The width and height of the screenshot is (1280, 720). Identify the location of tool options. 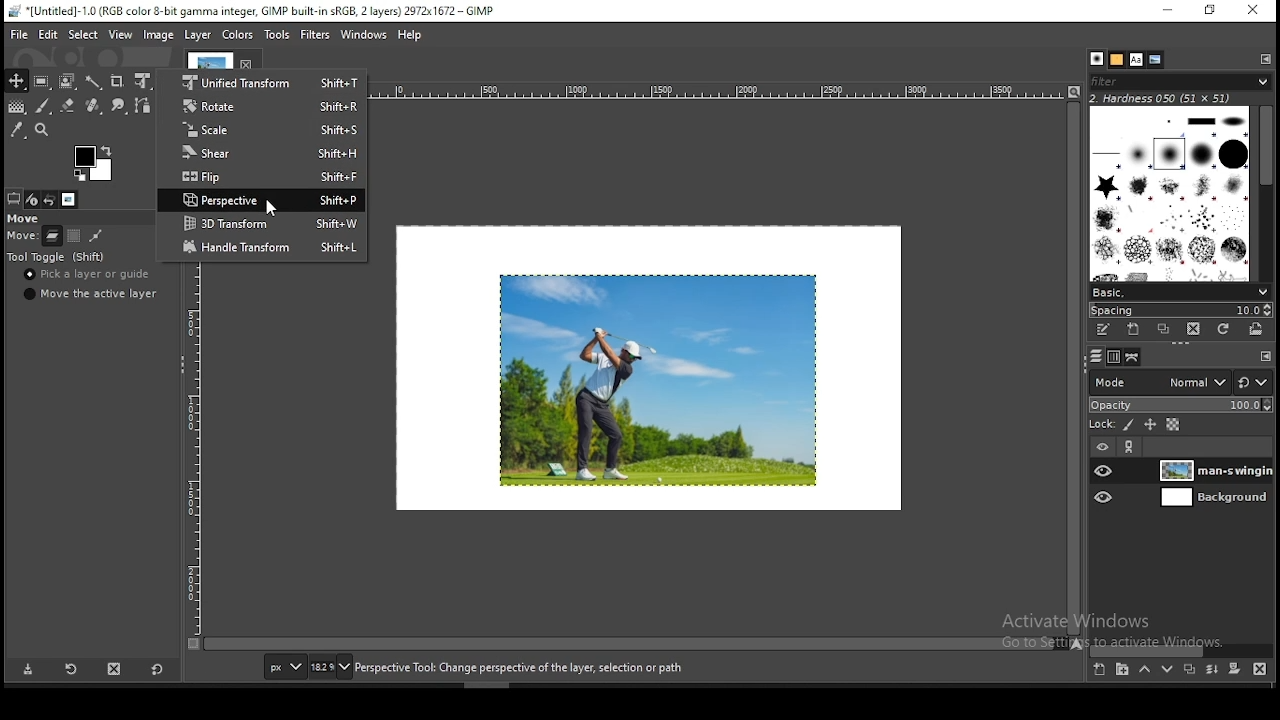
(13, 198).